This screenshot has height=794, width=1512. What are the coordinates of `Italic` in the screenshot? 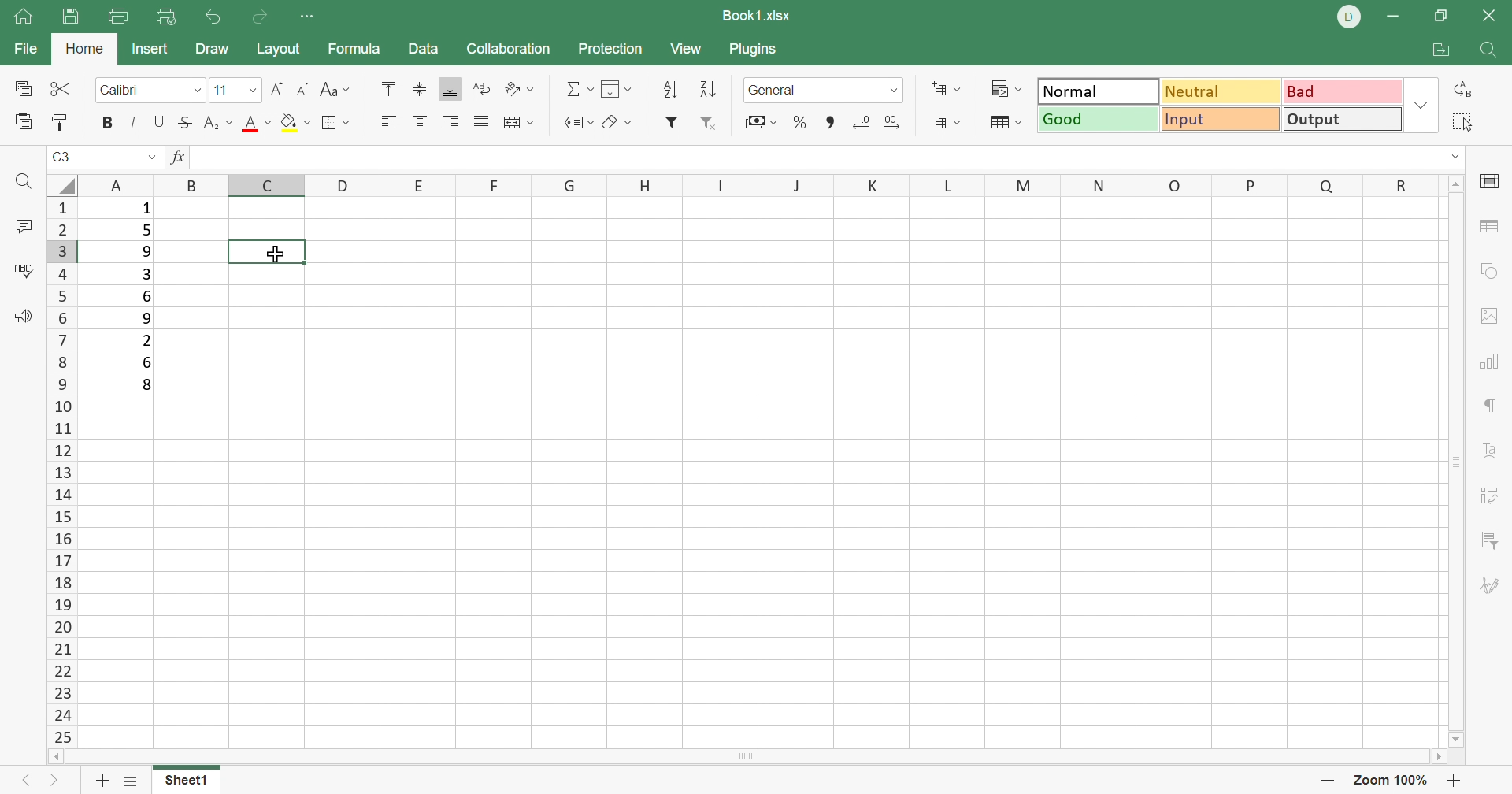 It's located at (133, 122).